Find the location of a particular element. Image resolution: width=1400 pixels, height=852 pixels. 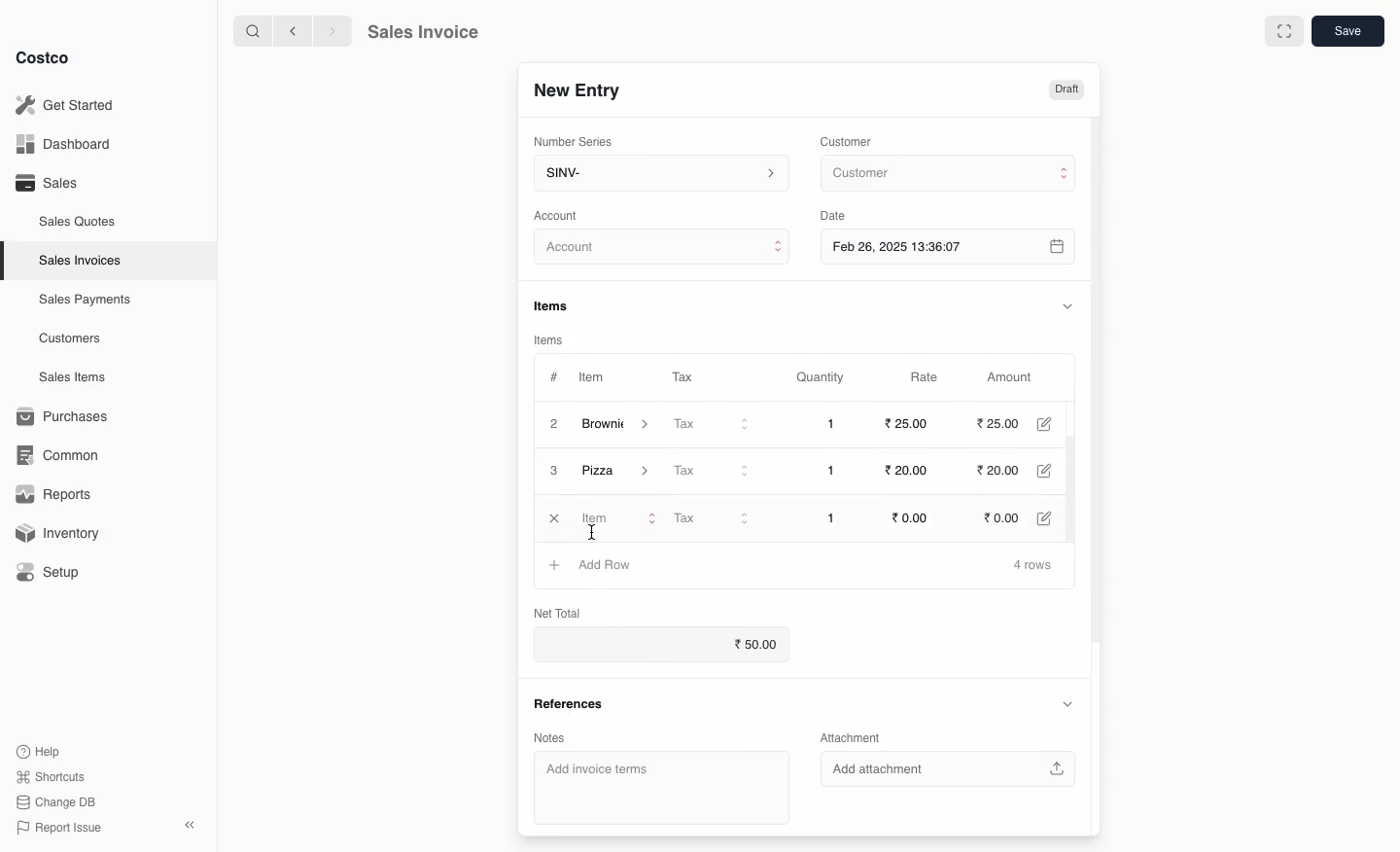

‘Add attachment is located at coordinates (954, 770).